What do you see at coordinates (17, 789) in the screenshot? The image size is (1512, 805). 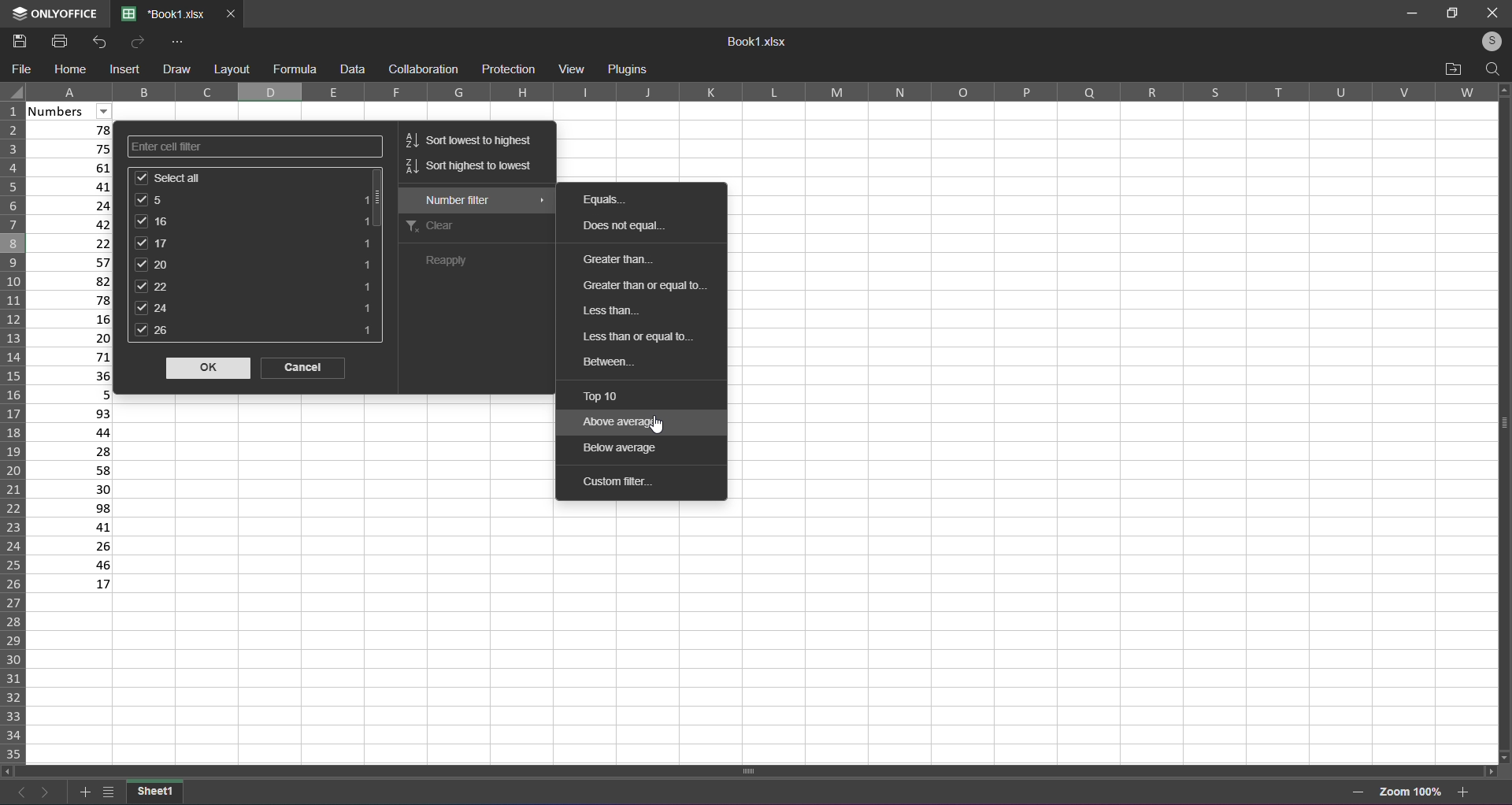 I see `previous` at bounding box center [17, 789].